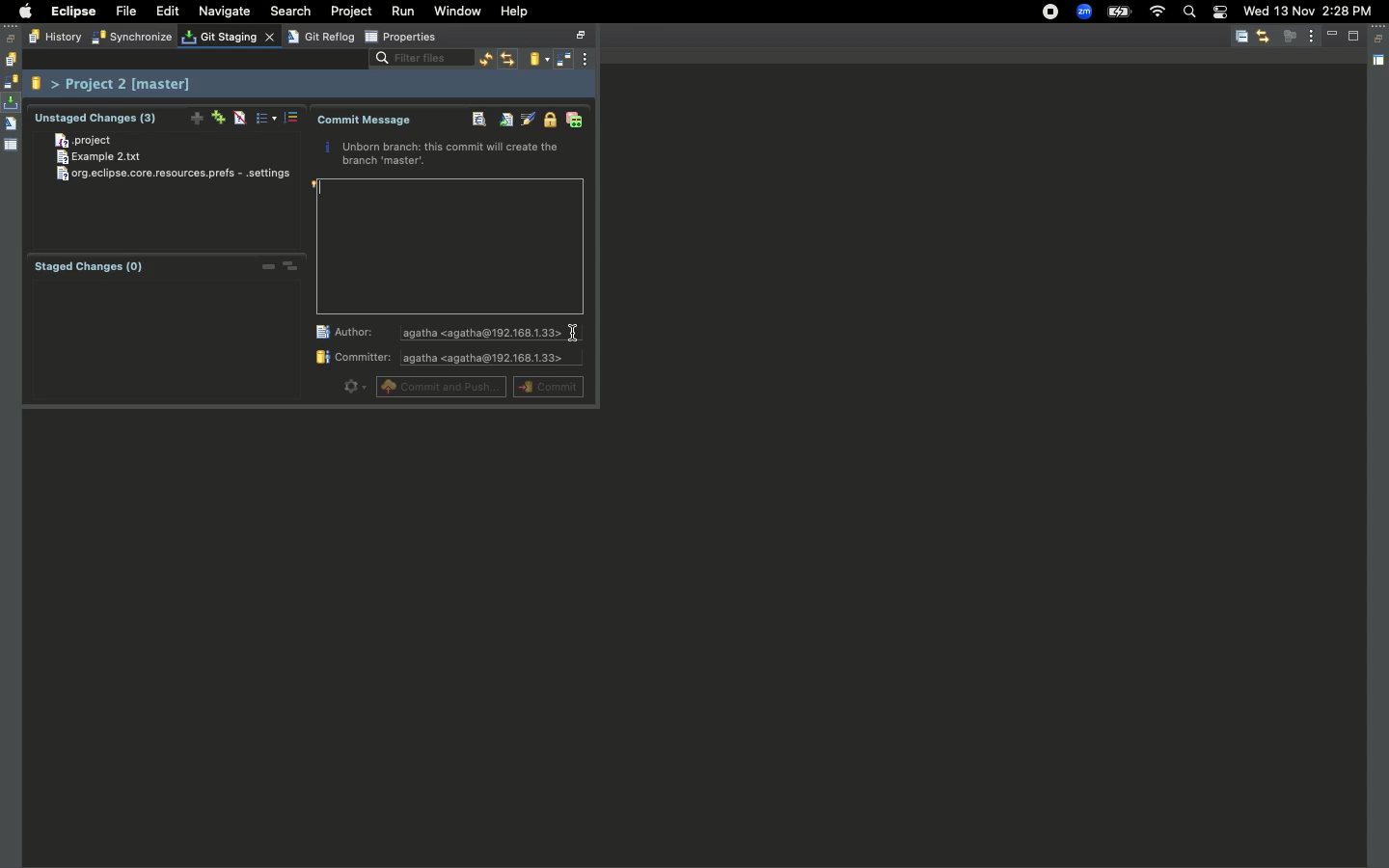 The width and height of the screenshot is (1389, 868). I want to click on View menu, so click(589, 59).